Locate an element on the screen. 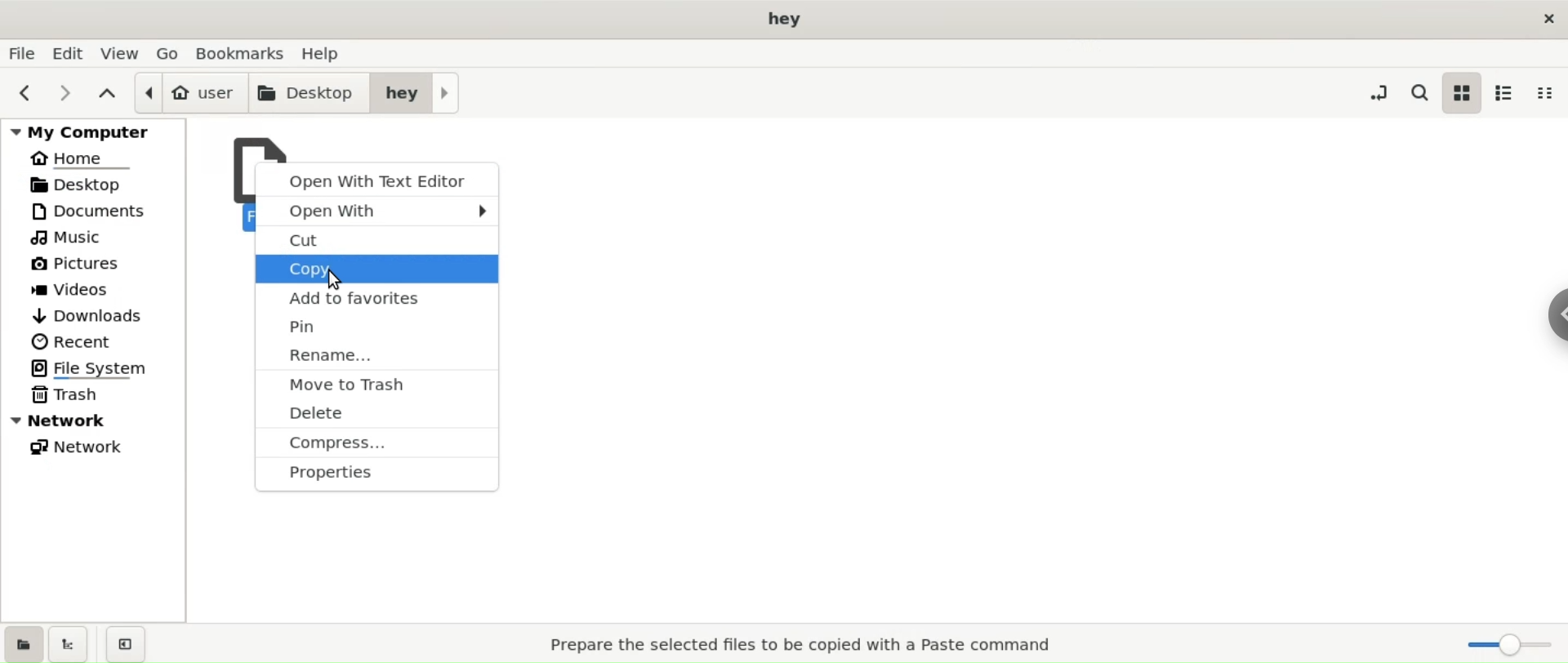 Image resolution: width=1568 pixels, height=663 pixels. zoom is located at coordinates (1503, 643).